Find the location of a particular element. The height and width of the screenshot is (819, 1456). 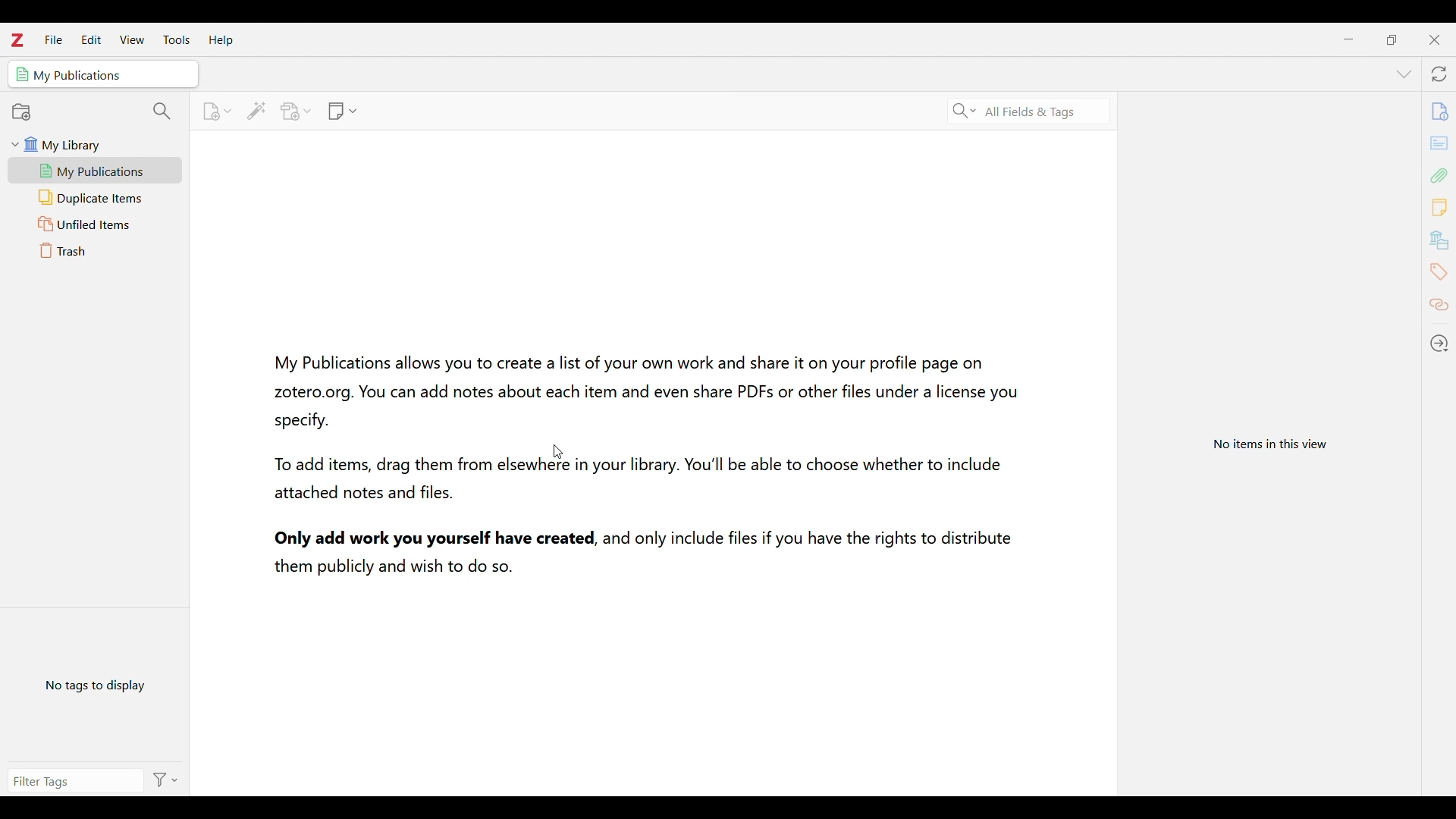

Trash is located at coordinates (96, 250).